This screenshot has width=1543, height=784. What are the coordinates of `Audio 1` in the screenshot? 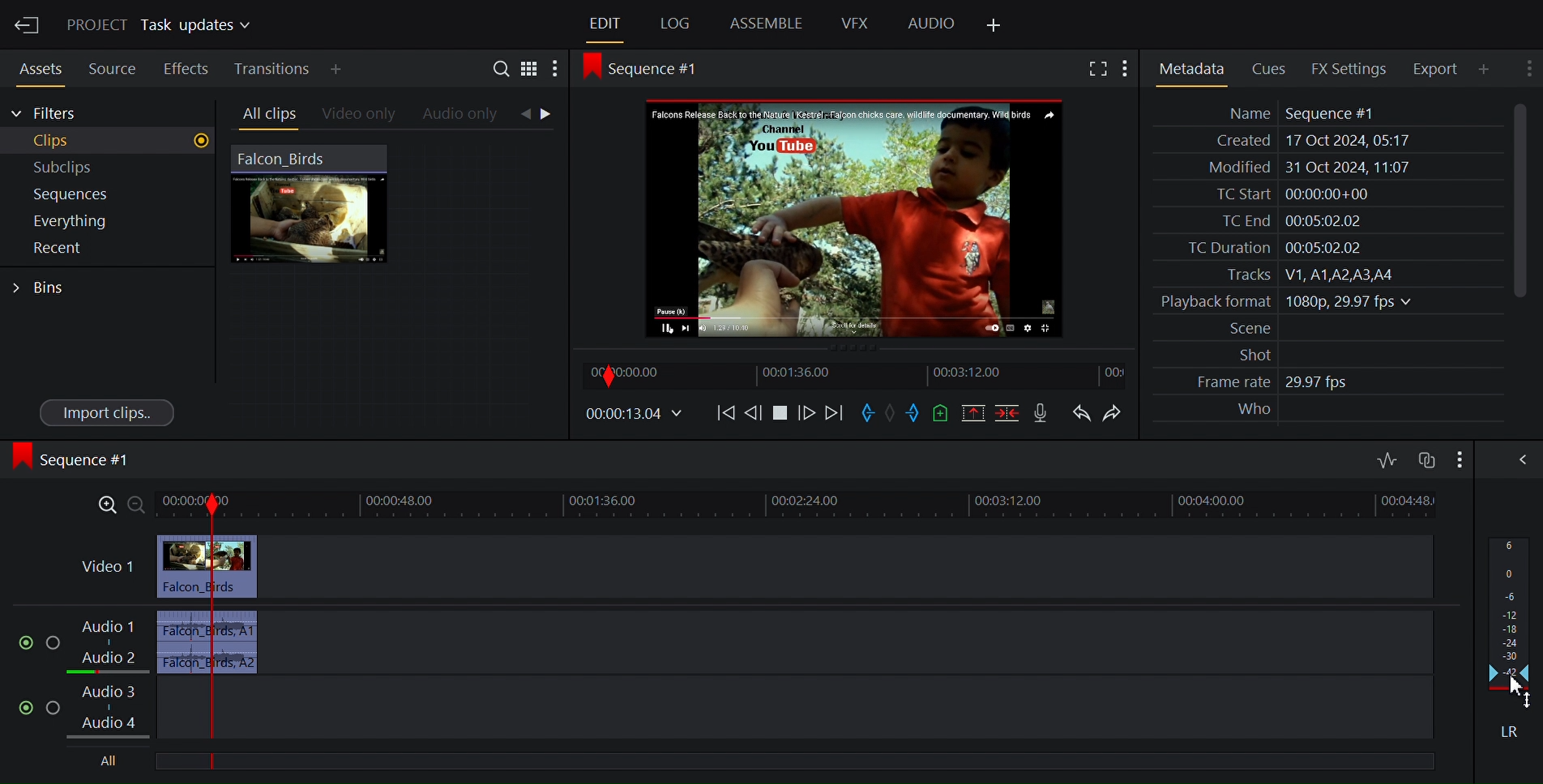 It's located at (112, 628).